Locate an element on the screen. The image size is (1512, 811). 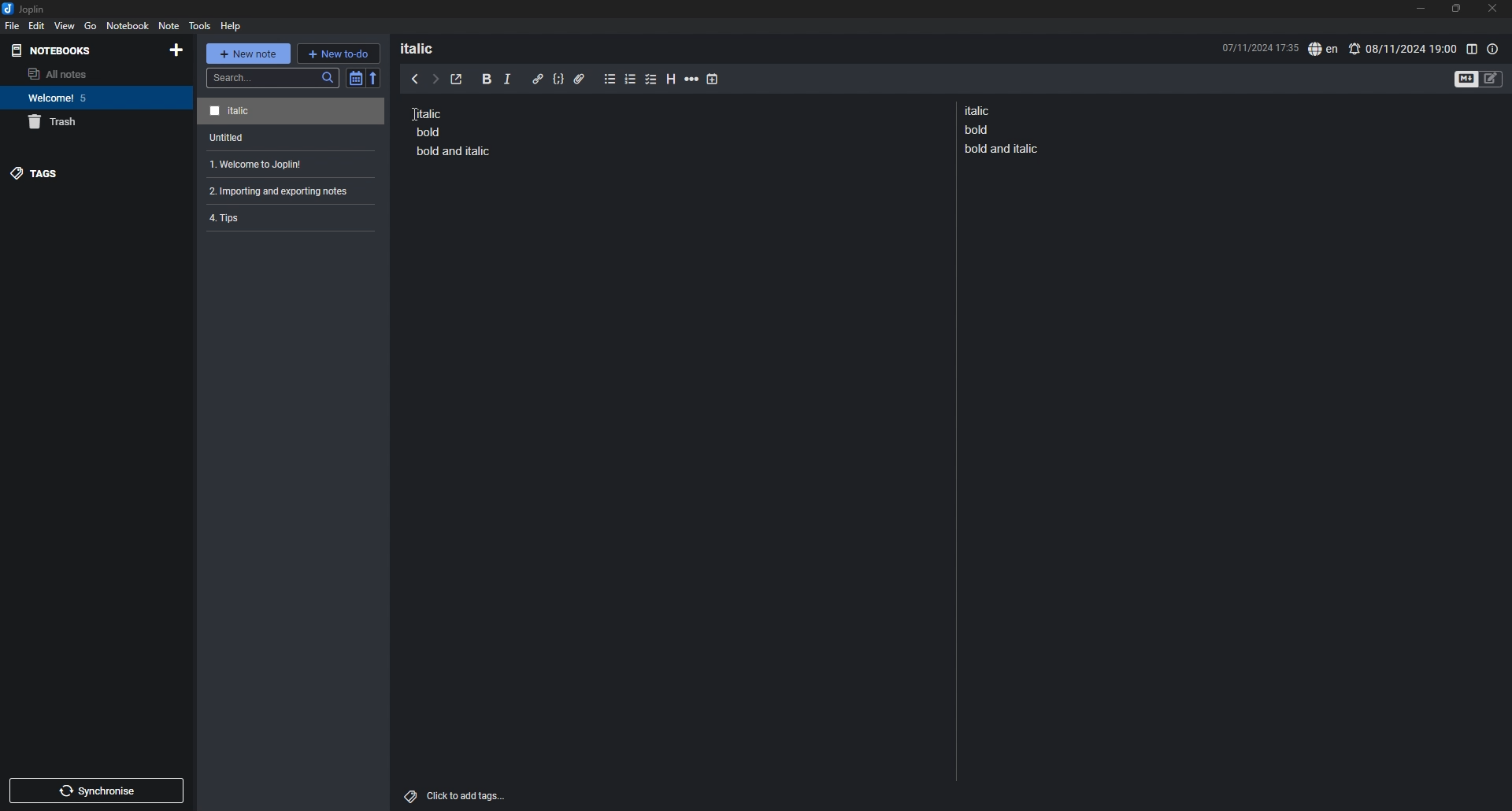
note is located at coordinates (293, 138).